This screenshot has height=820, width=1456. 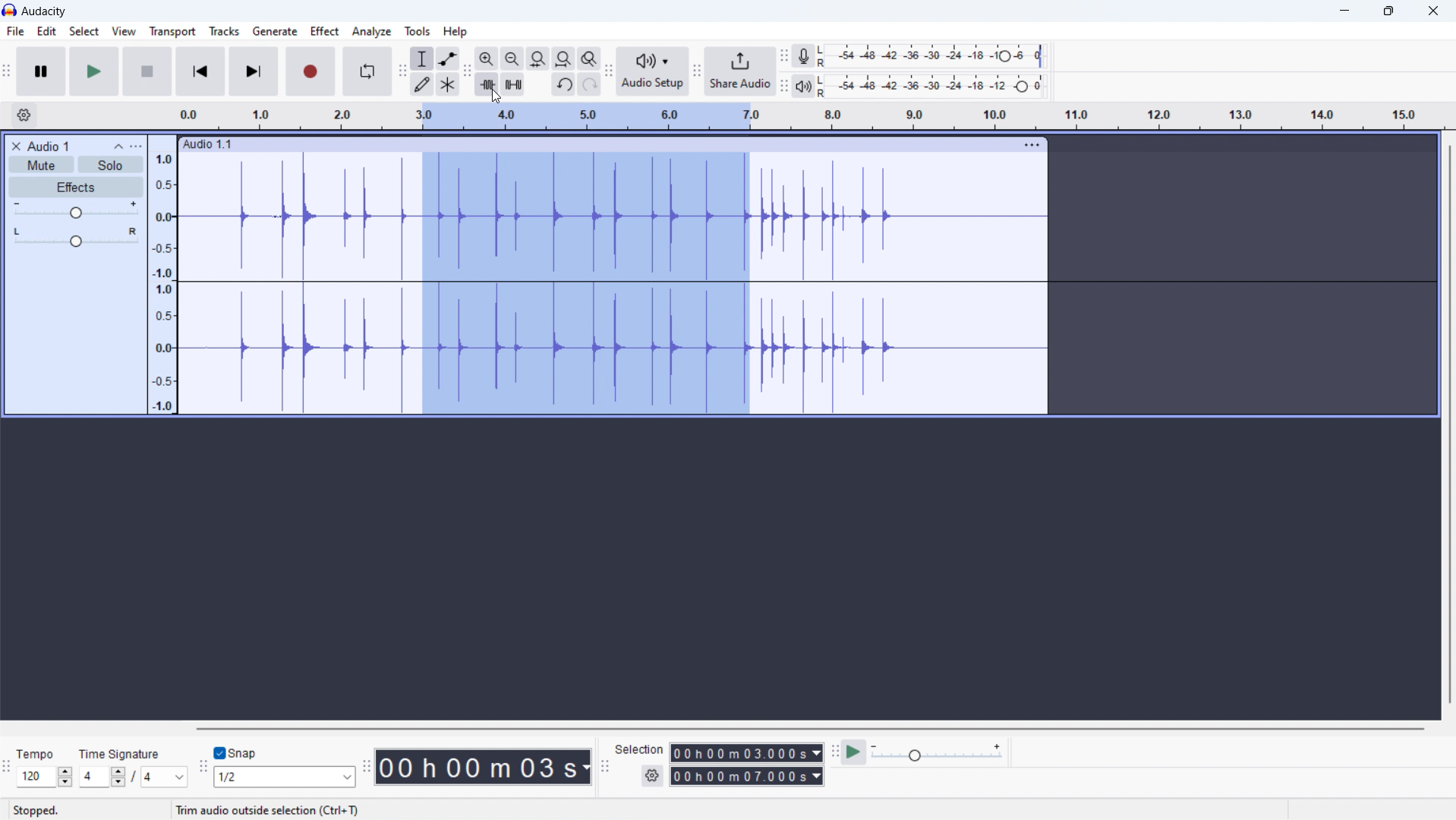 What do you see at coordinates (418, 30) in the screenshot?
I see `tools` at bounding box center [418, 30].